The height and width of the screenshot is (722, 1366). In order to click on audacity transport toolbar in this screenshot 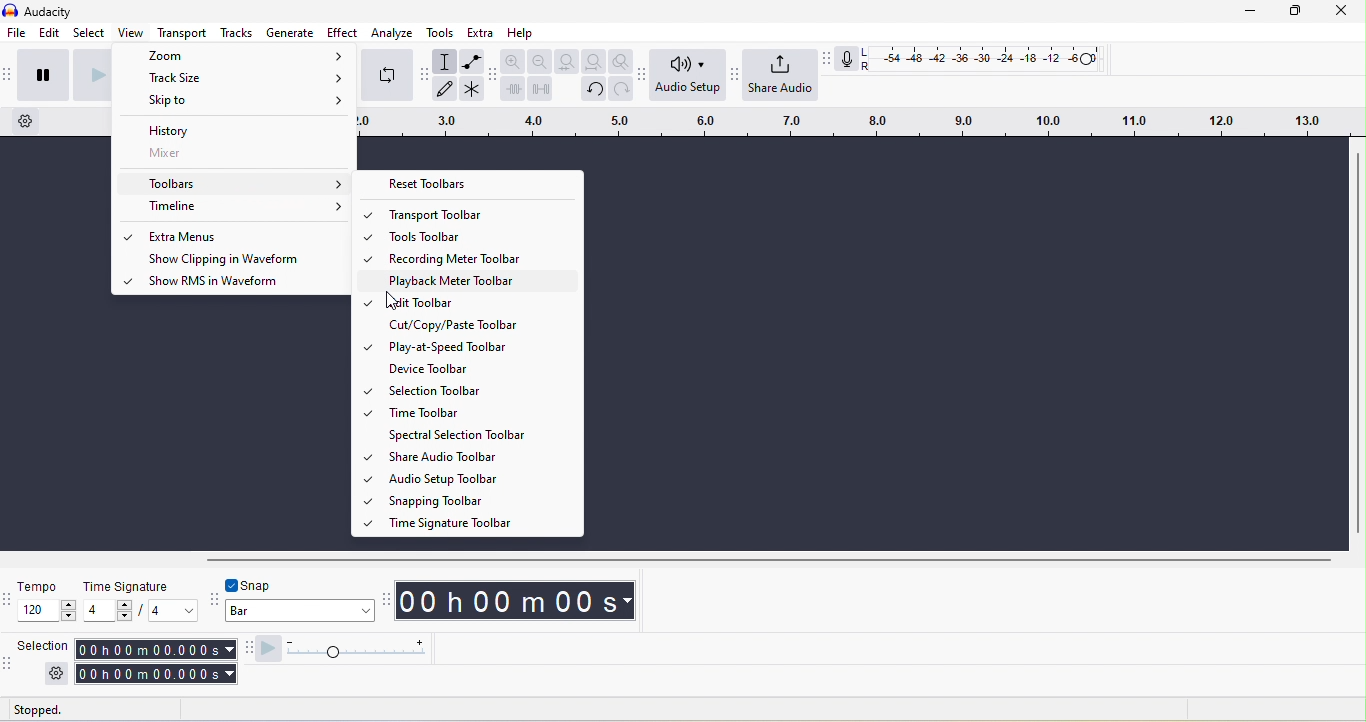, I will do `click(9, 76)`.